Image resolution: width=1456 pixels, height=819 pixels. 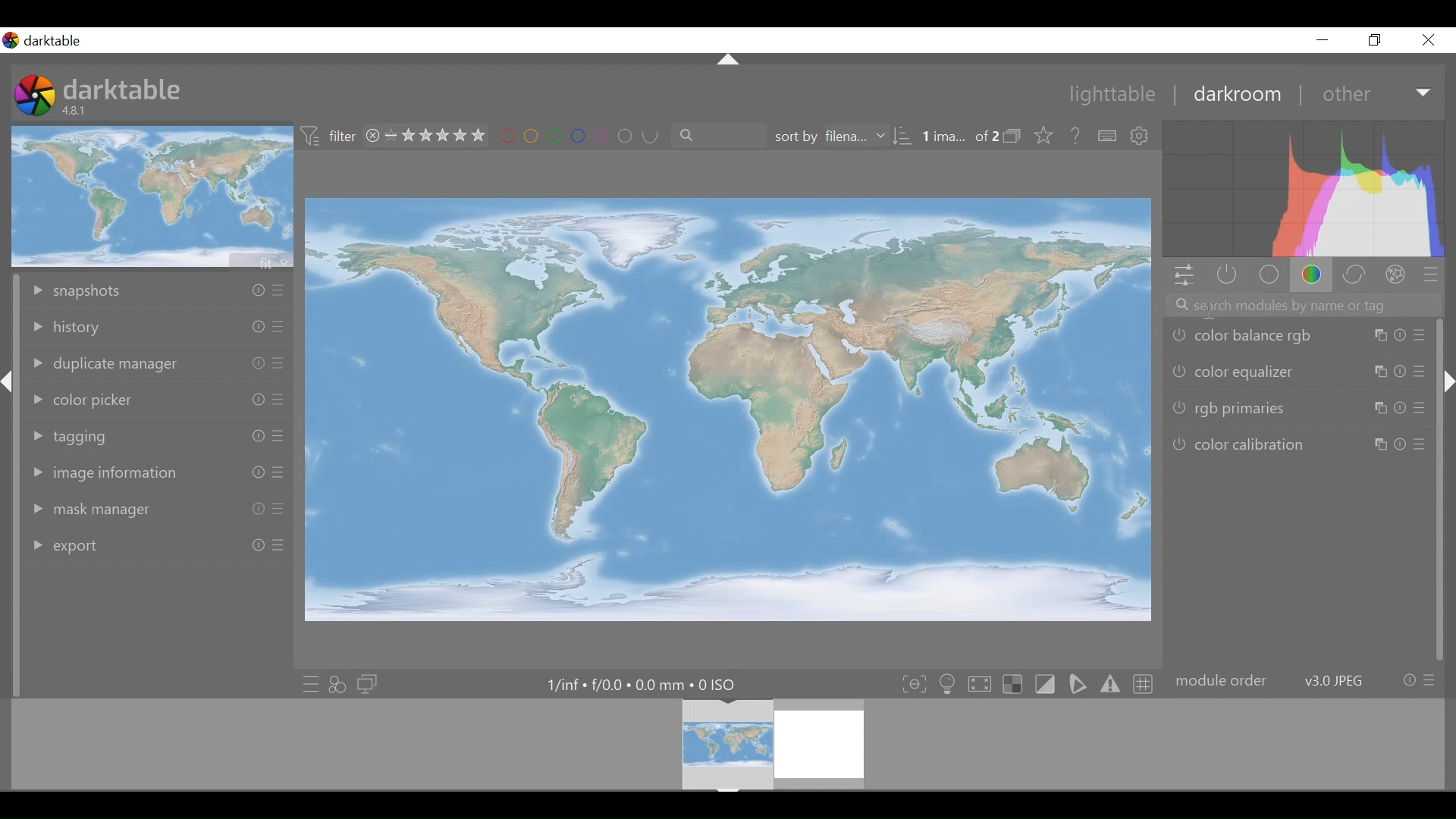 What do you see at coordinates (156, 292) in the screenshot?
I see `snapshot` at bounding box center [156, 292].